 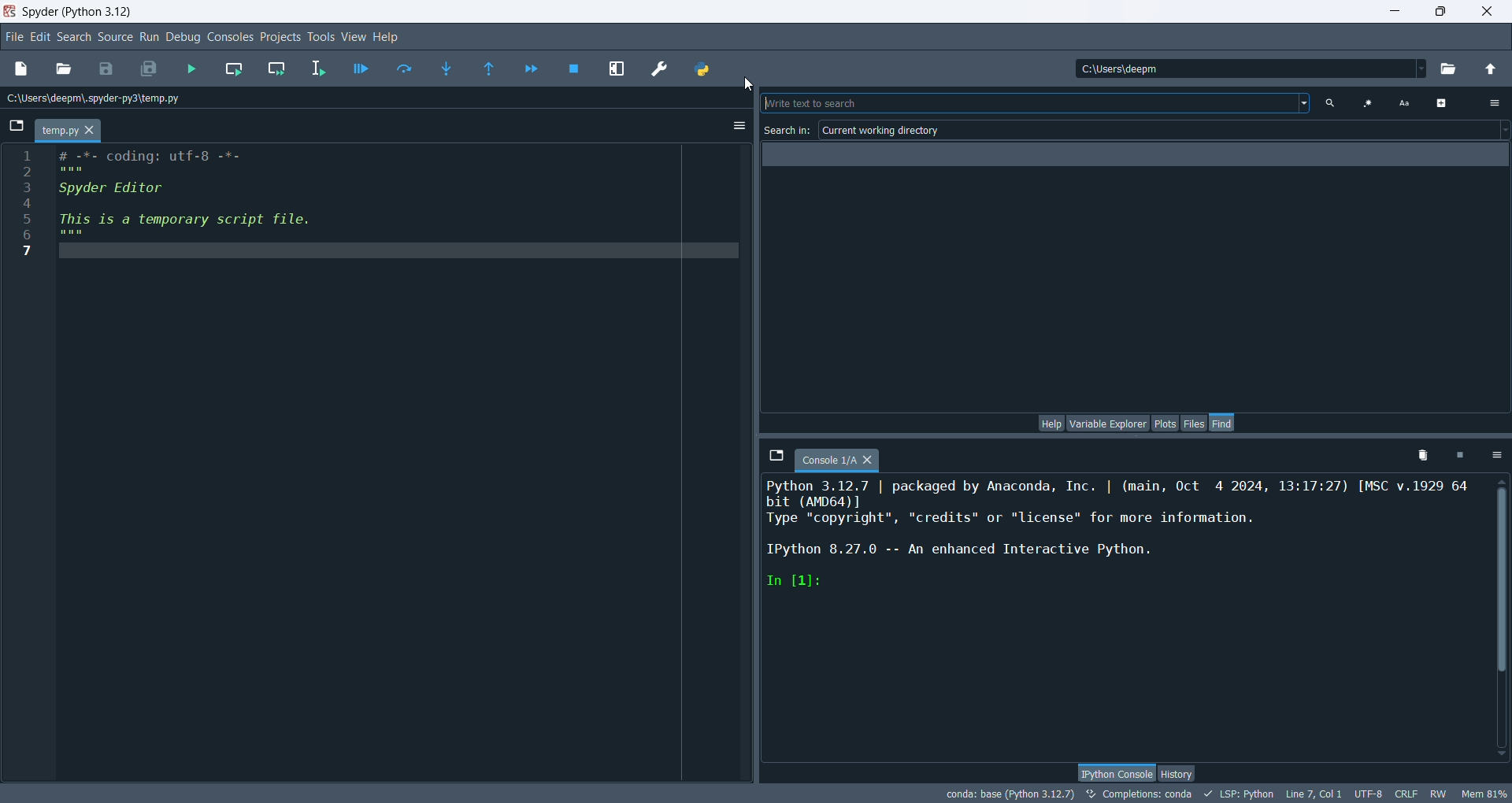 What do you see at coordinates (491, 68) in the screenshot?
I see `run until the current function returns` at bounding box center [491, 68].